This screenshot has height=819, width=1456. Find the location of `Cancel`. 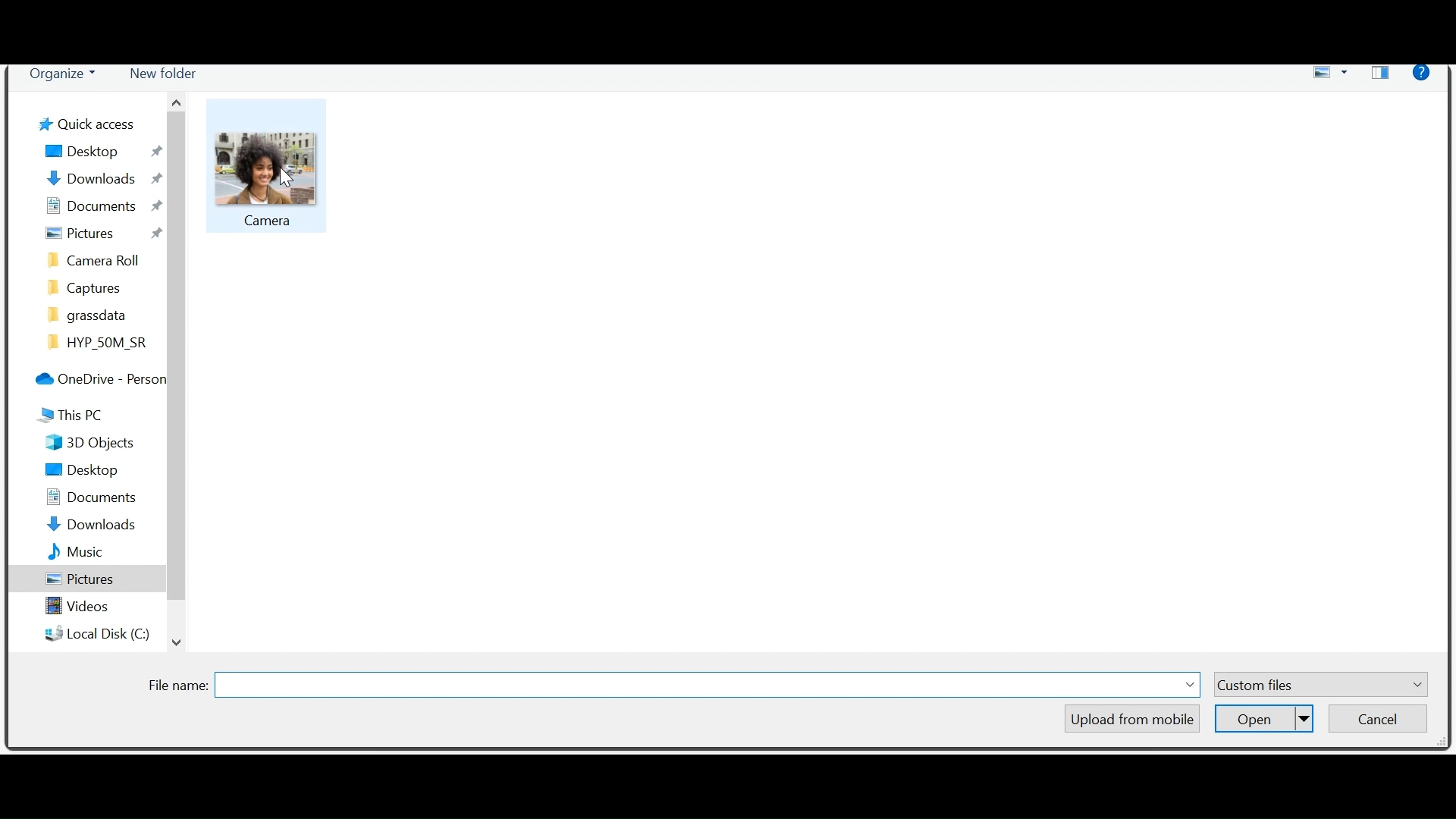

Cancel is located at coordinates (1384, 717).